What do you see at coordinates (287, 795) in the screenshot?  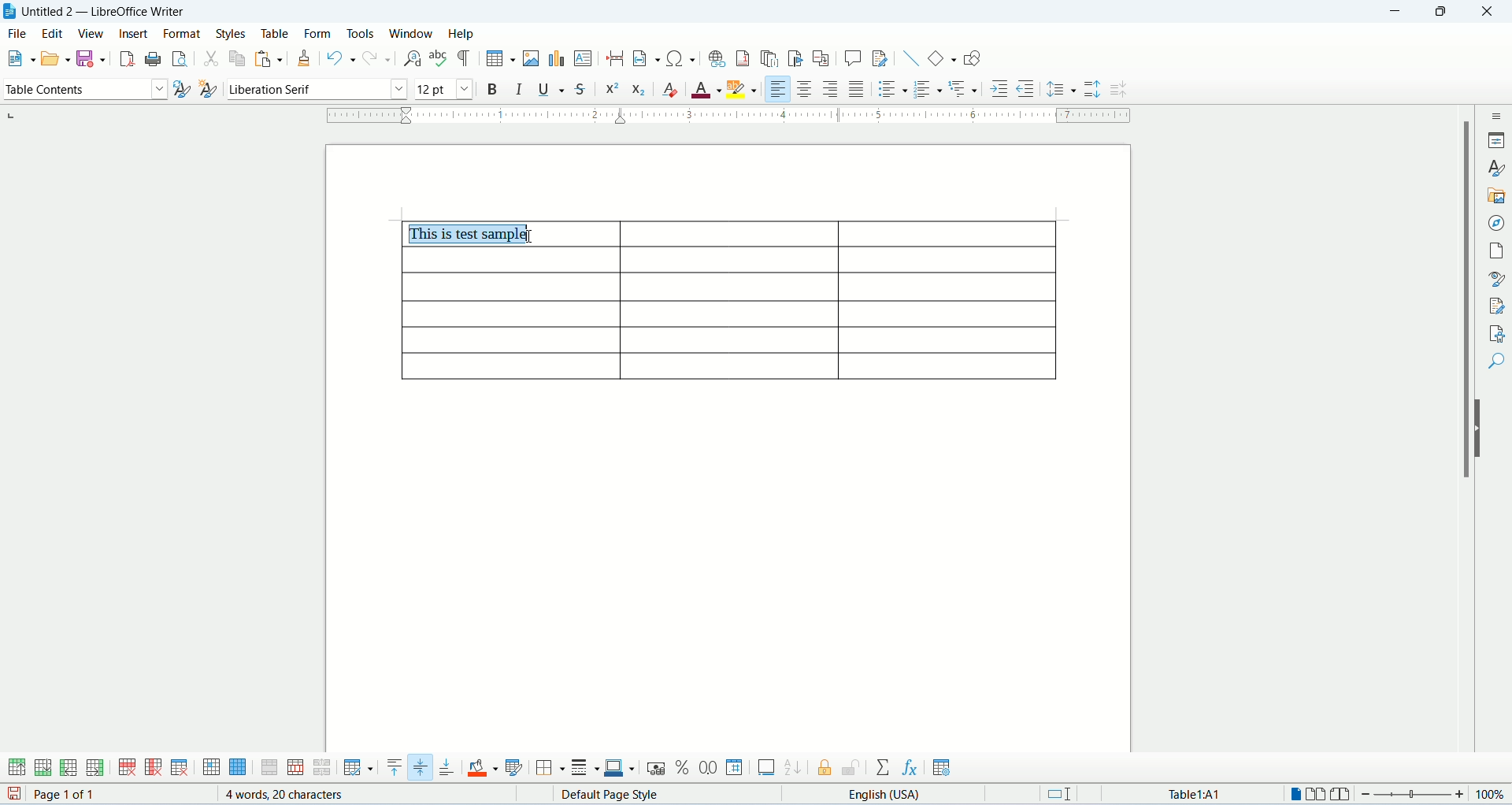 I see `word count` at bounding box center [287, 795].